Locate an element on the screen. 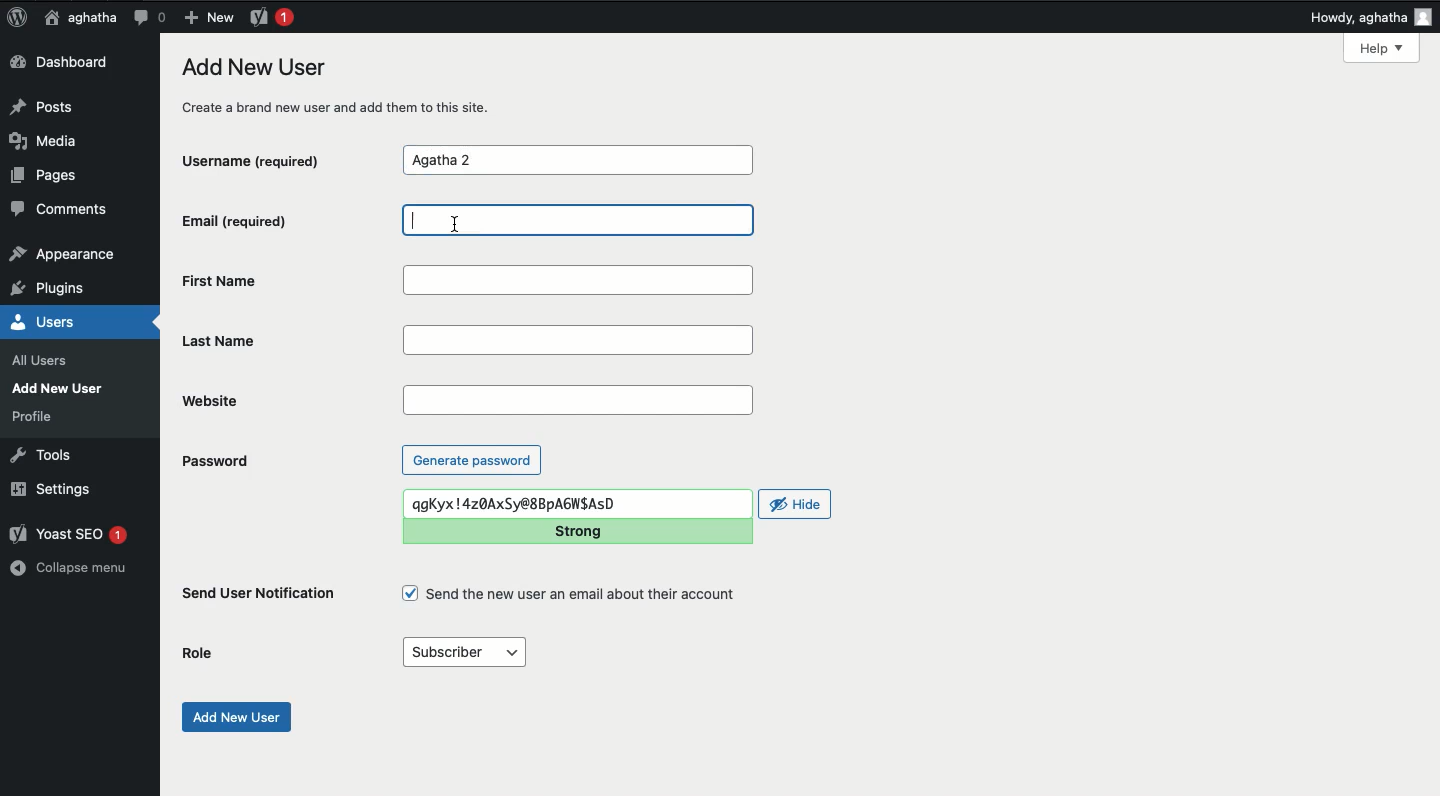  Hide is located at coordinates (796, 504).